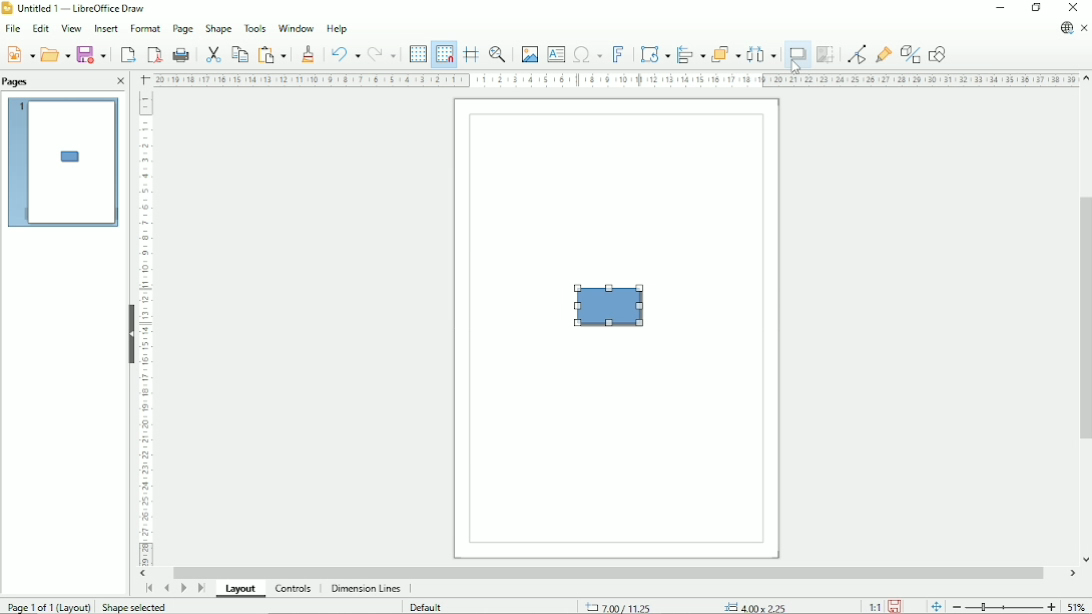 This screenshot has width=1092, height=614. What do you see at coordinates (20, 55) in the screenshot?
I see `New` at bounding box center [20, 55].